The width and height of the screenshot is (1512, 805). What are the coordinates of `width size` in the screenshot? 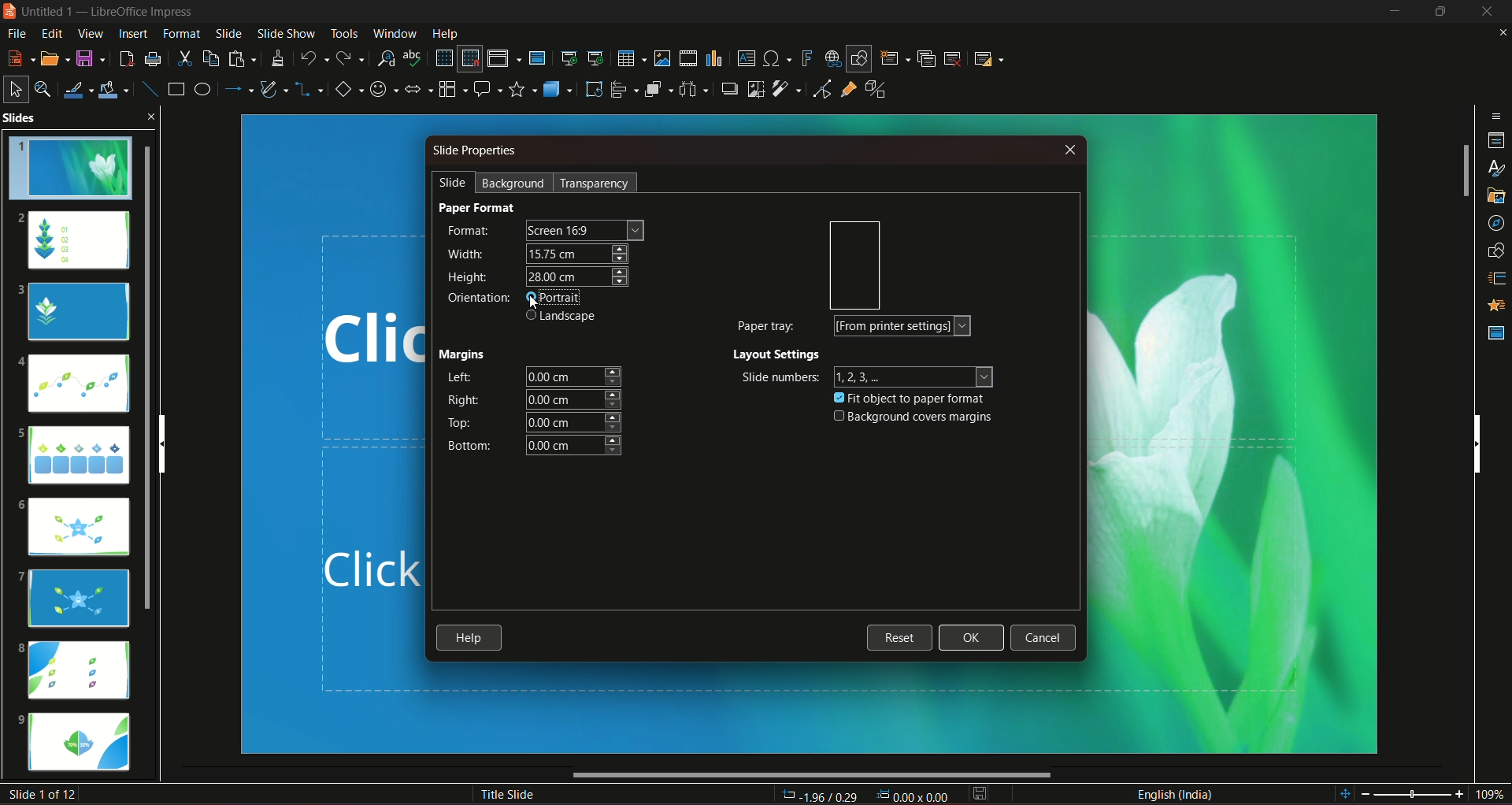 It's located at (576, 253).